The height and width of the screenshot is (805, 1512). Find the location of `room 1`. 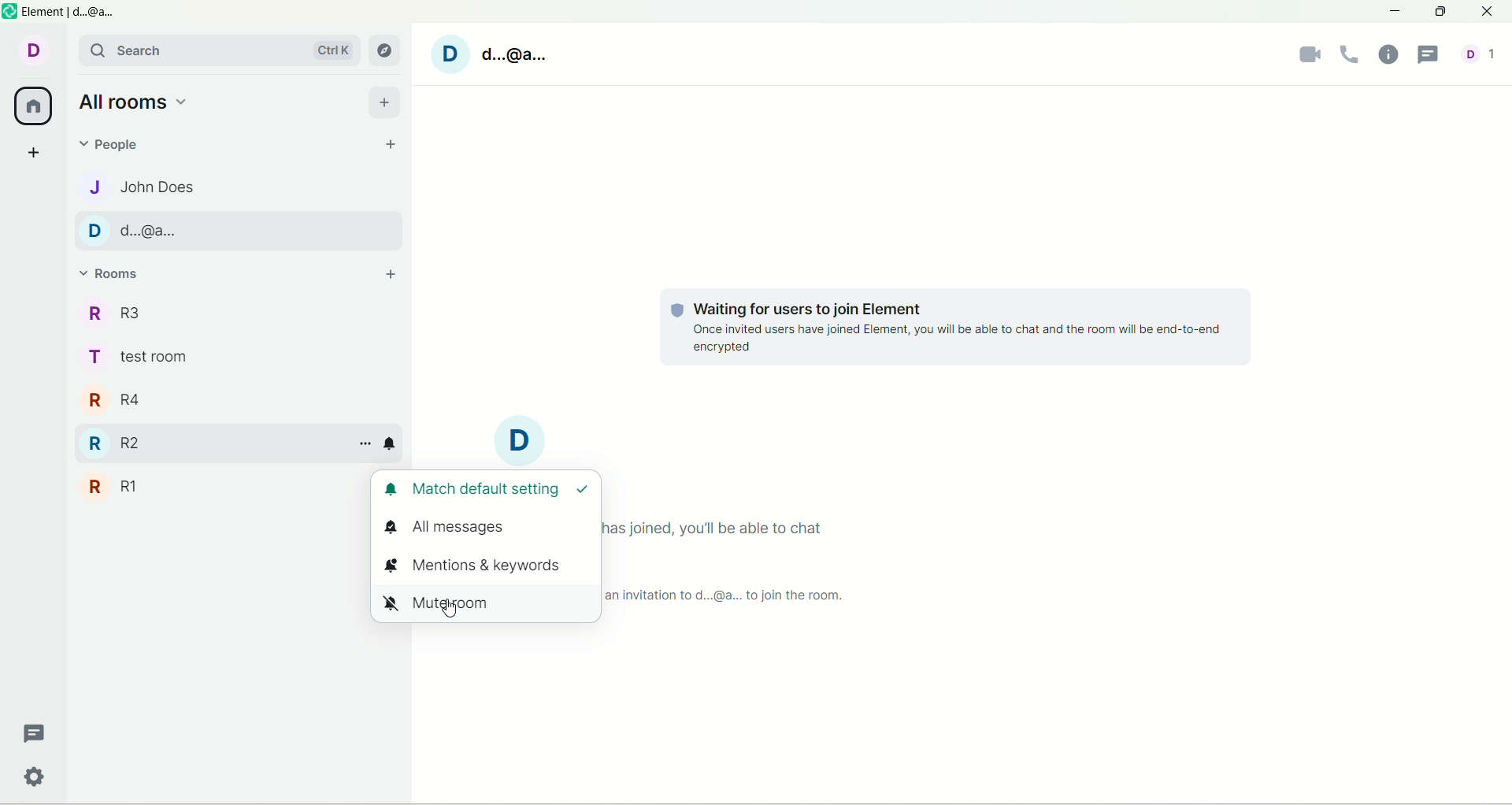

room 1 is located at coordinates (140, 485).